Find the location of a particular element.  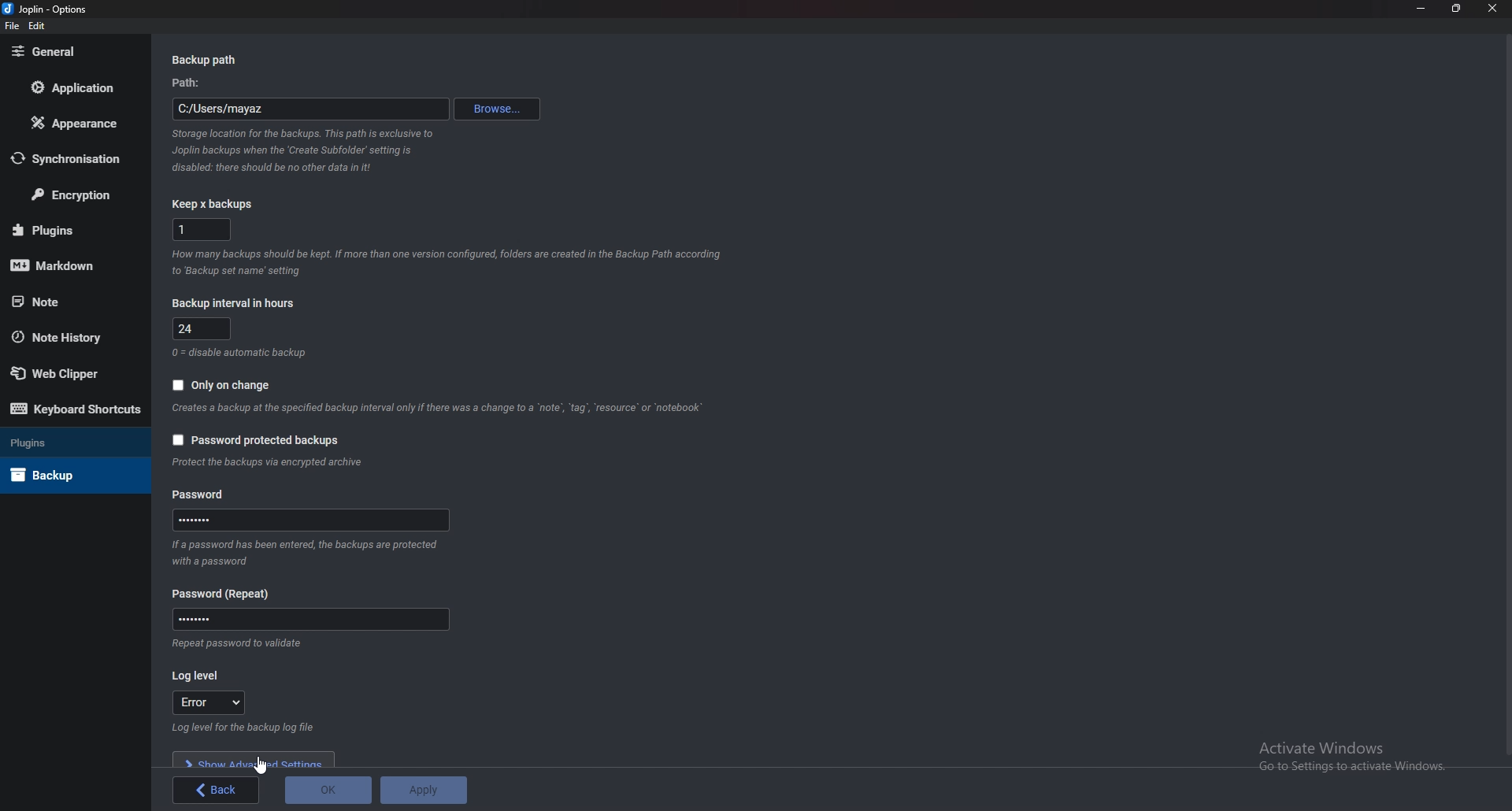

x is located at coordinates (200, 230).